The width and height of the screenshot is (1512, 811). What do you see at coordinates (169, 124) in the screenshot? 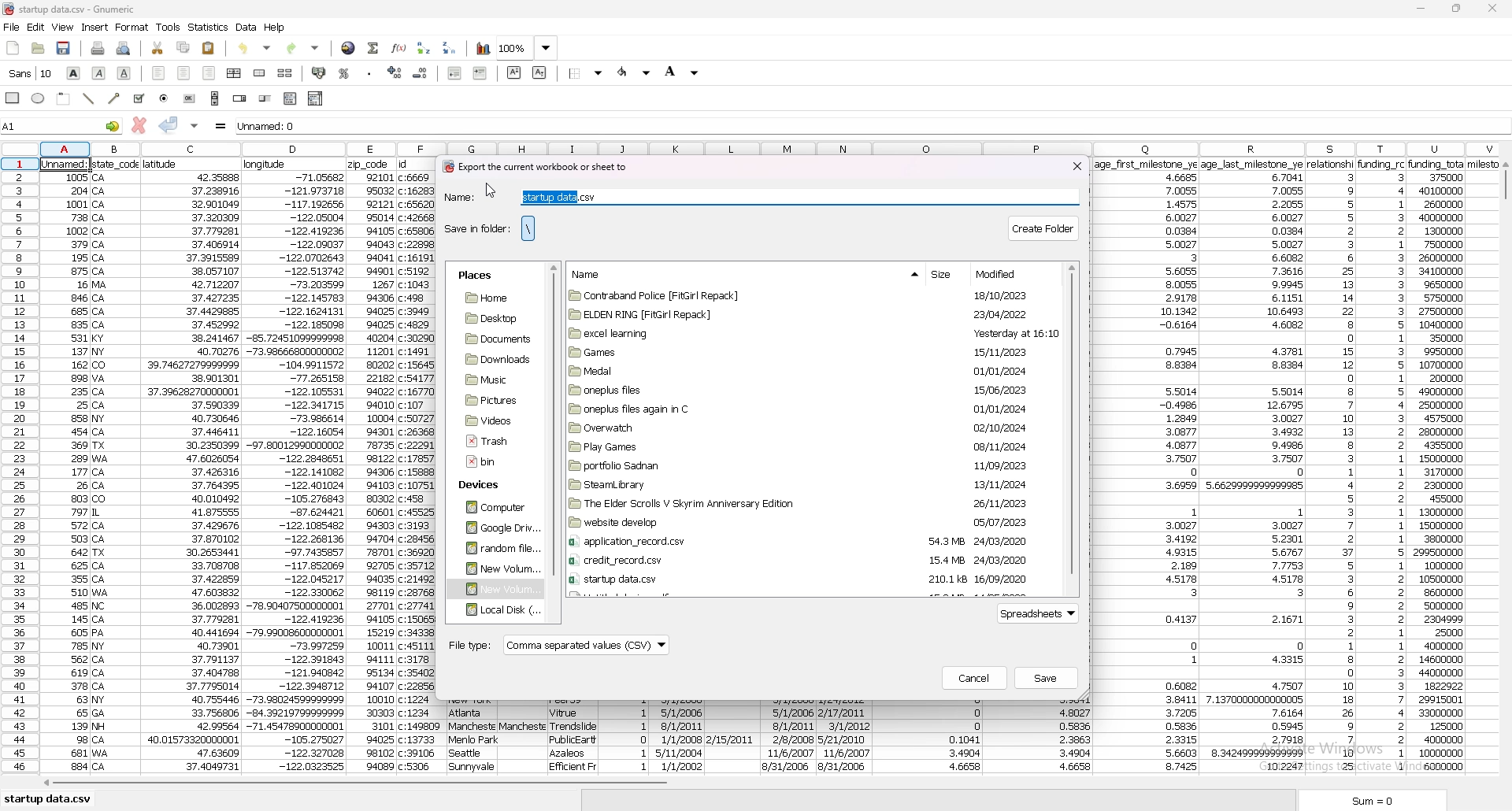
I see `accept changes` at bounding box center [169, 124].